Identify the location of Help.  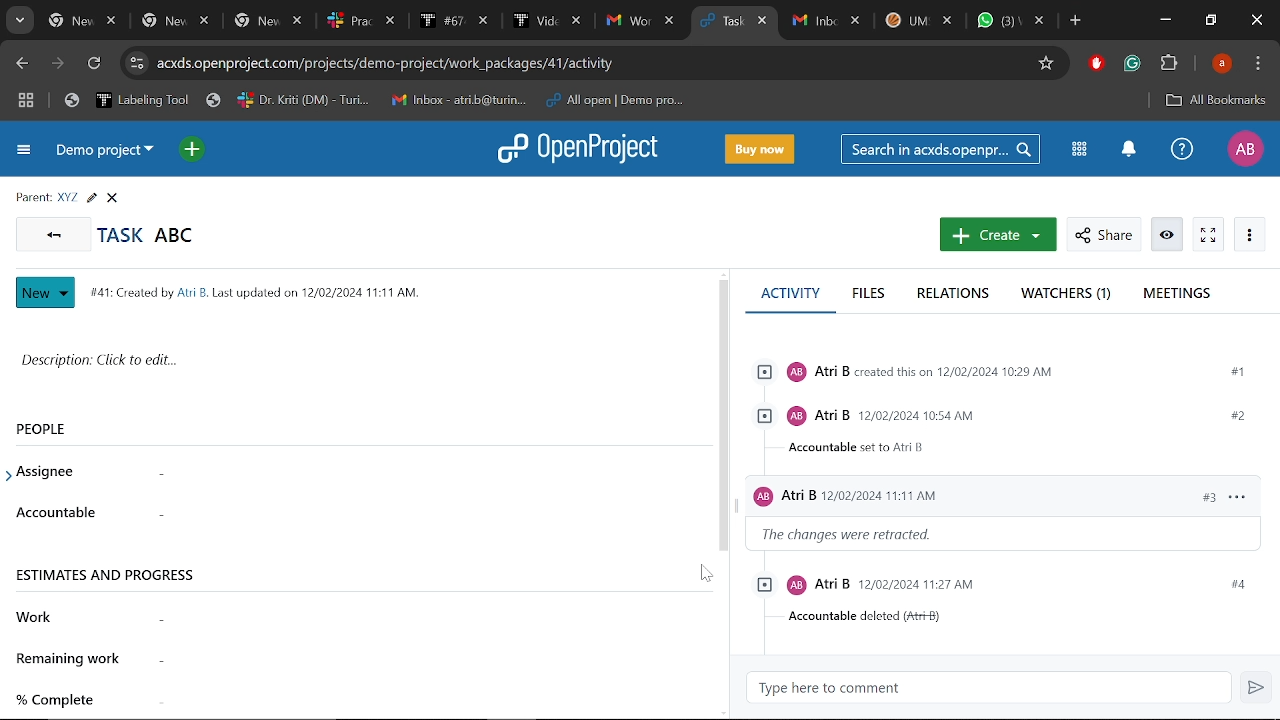
(1181, 153).